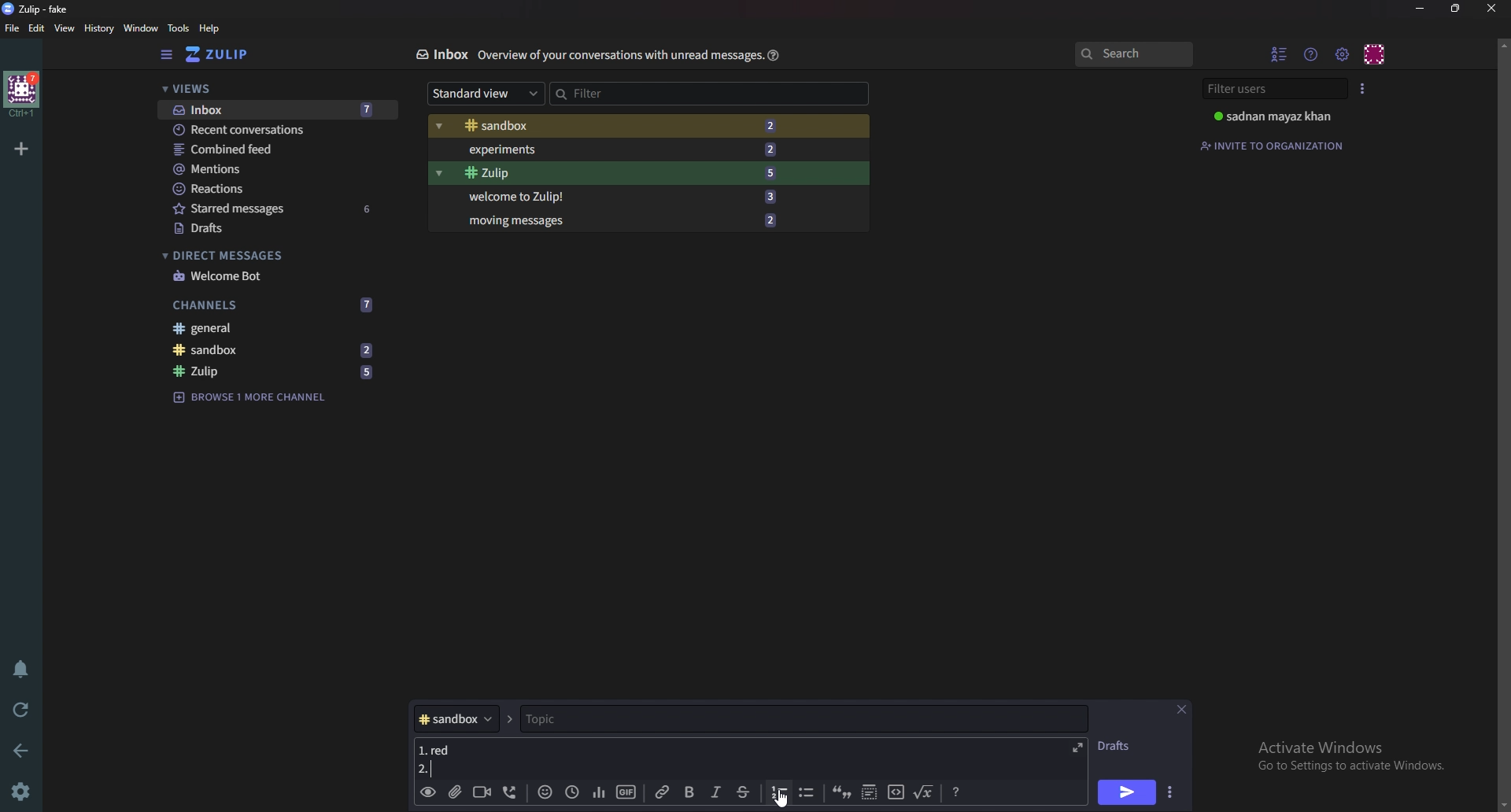  I want to click on Inbox, so click(441, 54).